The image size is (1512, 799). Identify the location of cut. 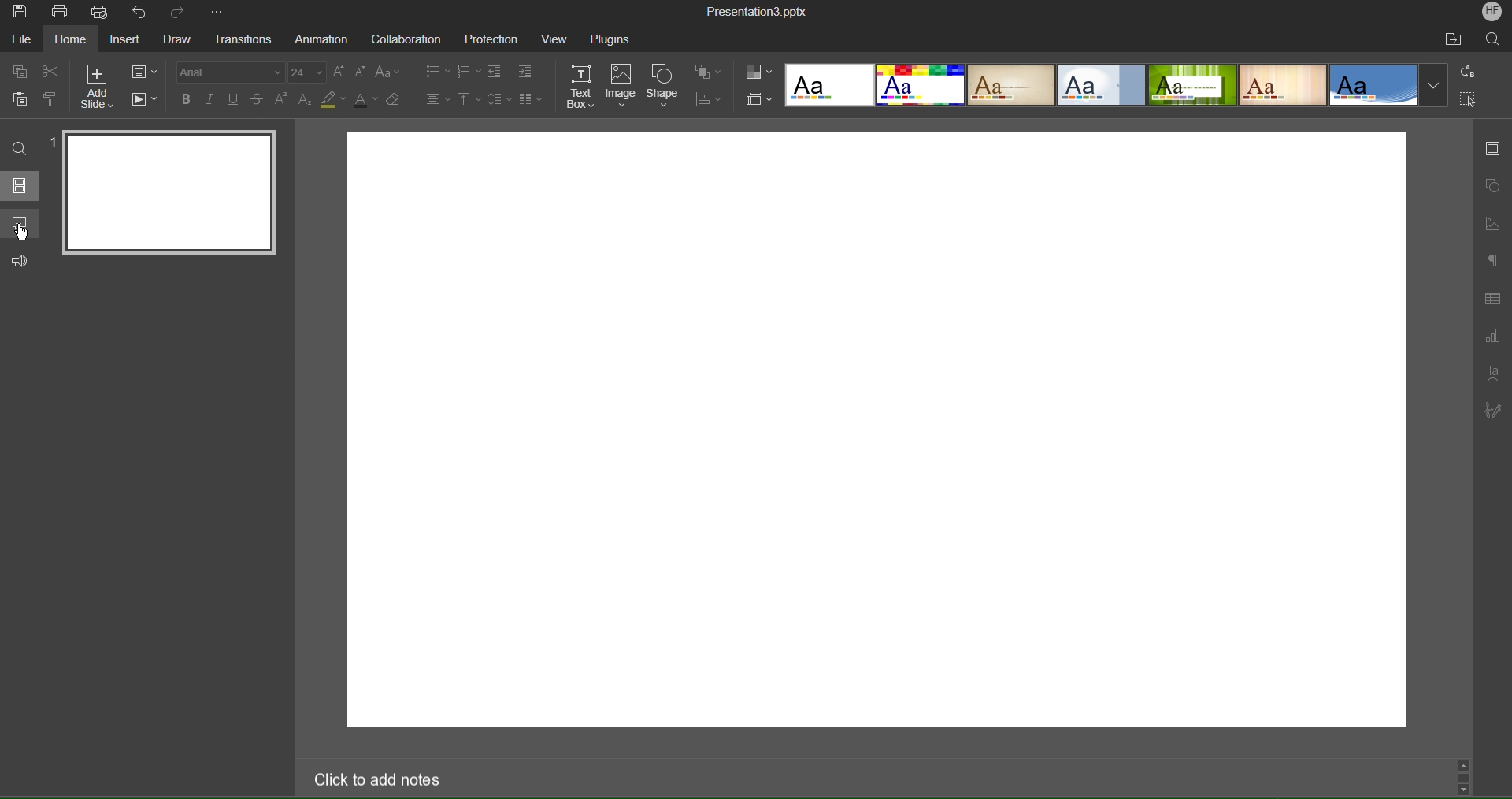
(51, 72).